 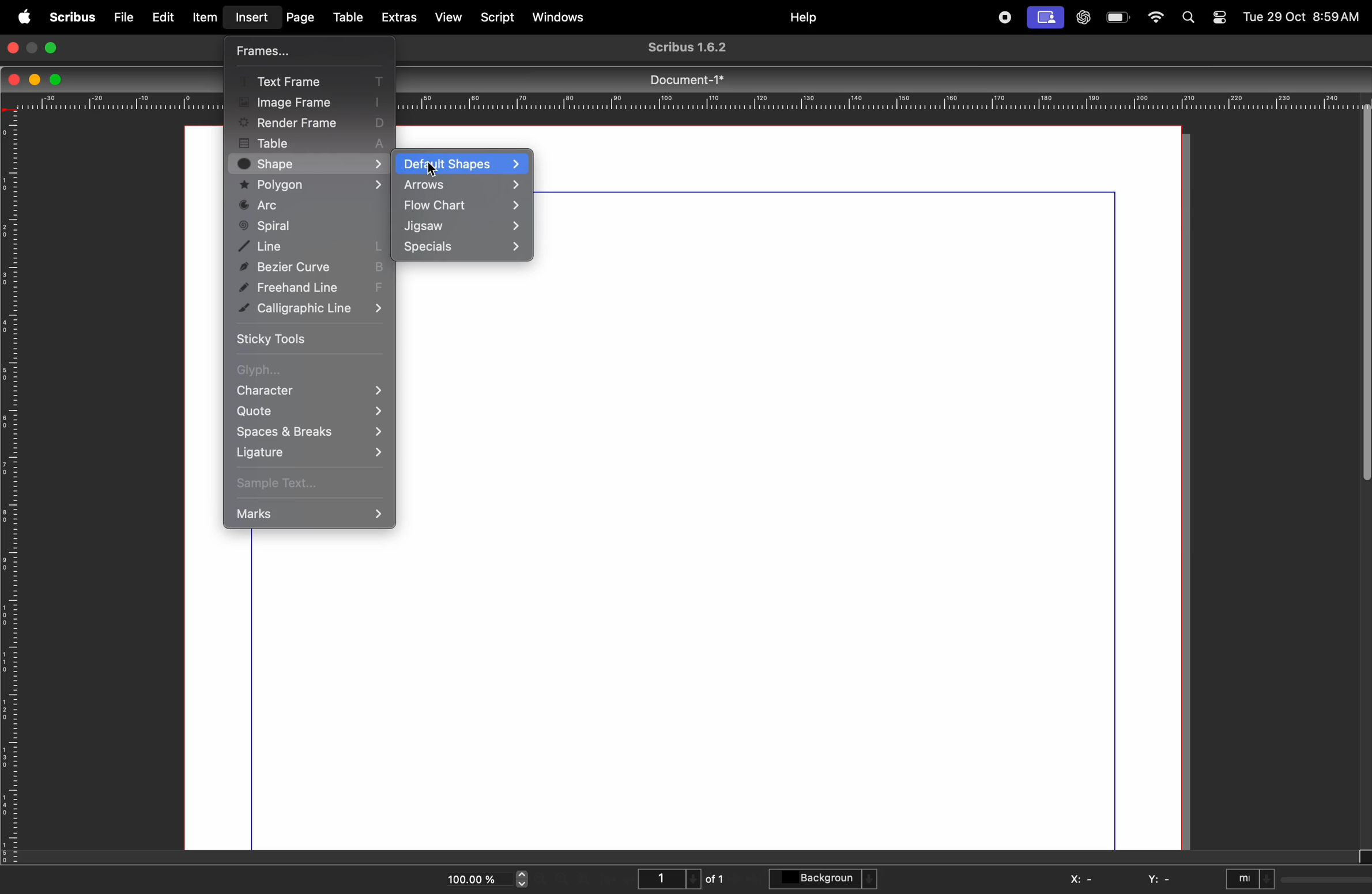 What do you see at coordinates (310, 267) in the screenshot?
I see `bezier curve   B` at bounding box center [310, 267].